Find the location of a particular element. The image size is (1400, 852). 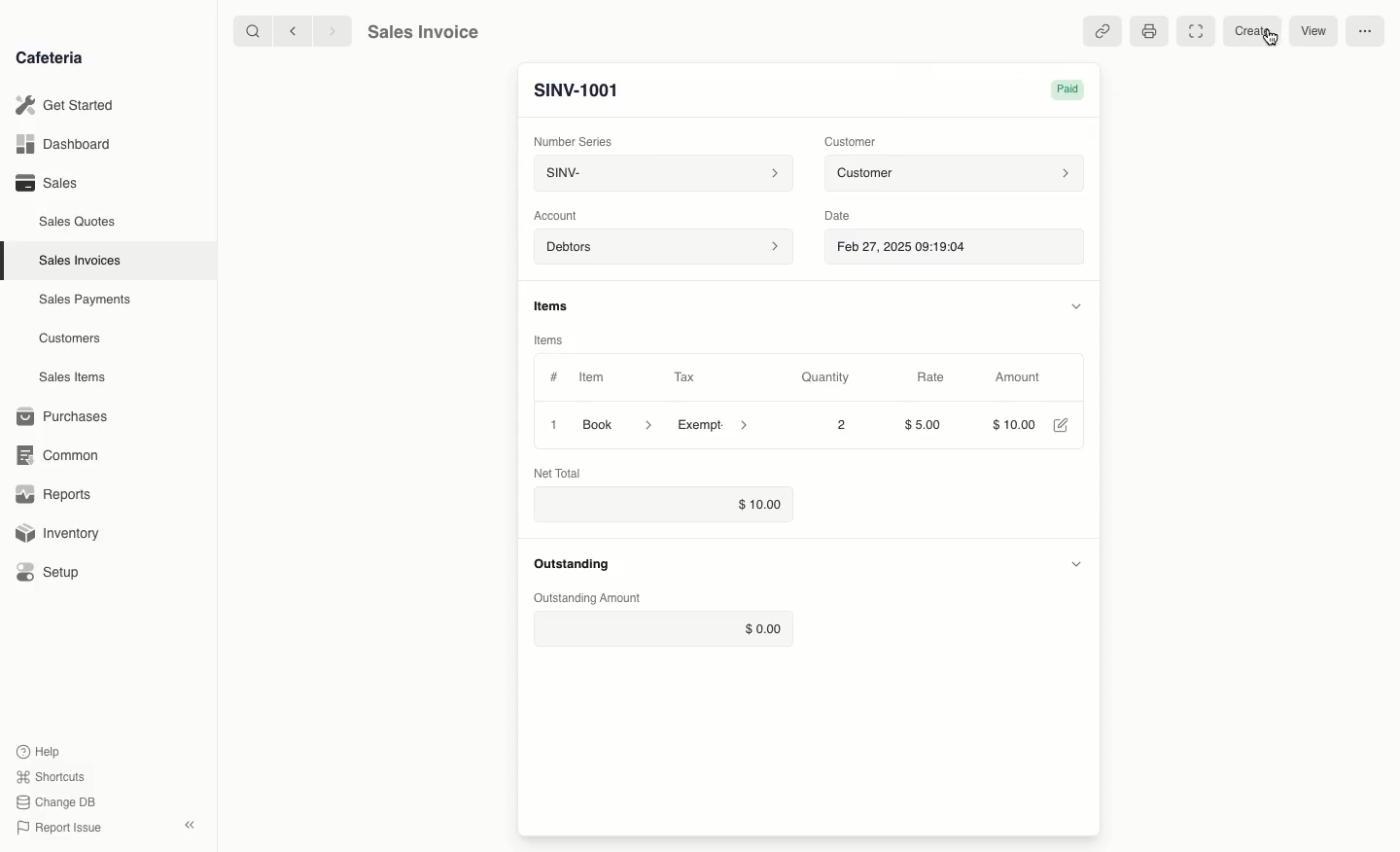

Sales Invoice is located at coordinates (423, 32).